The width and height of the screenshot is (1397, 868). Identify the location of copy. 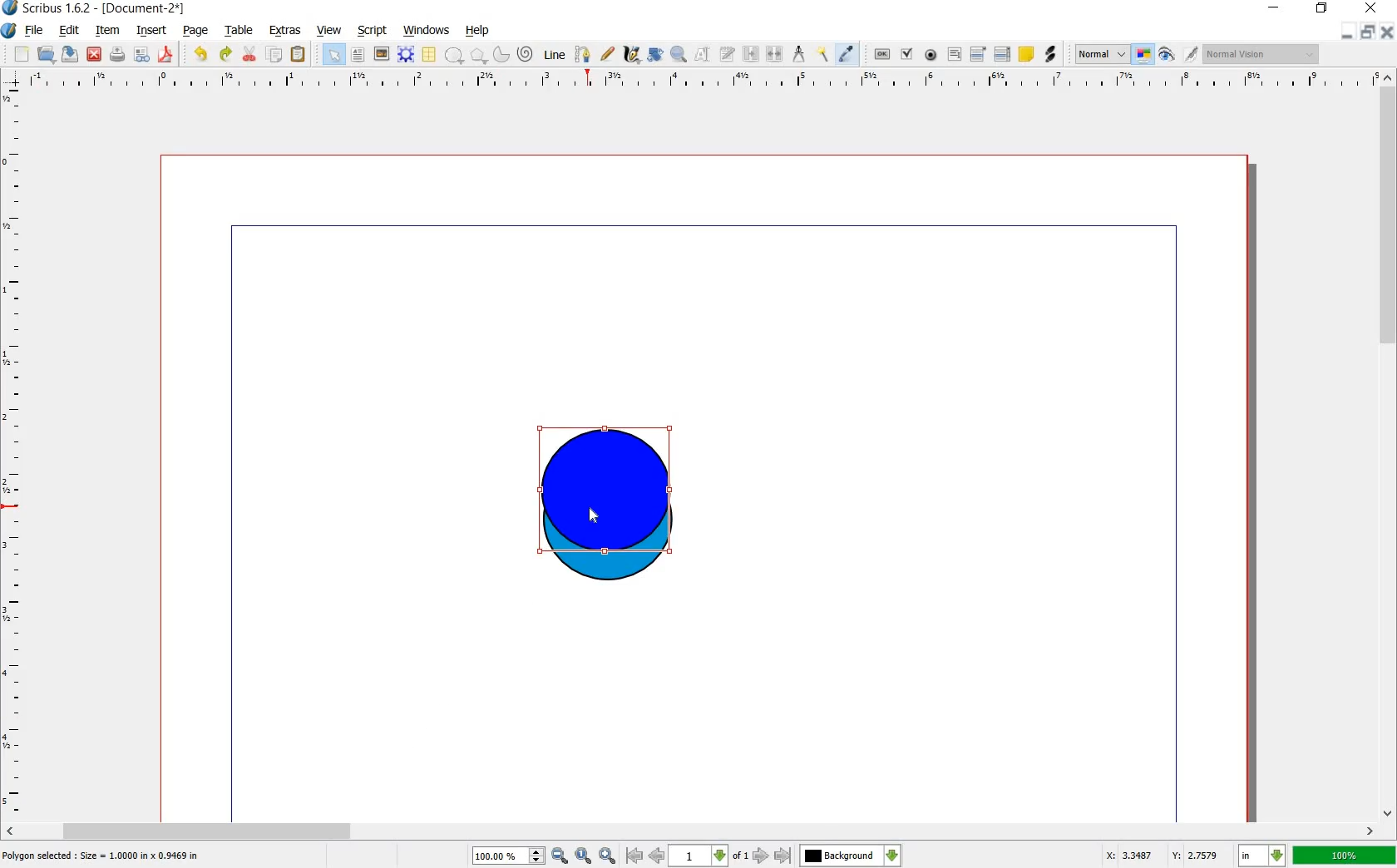
(276, 55).